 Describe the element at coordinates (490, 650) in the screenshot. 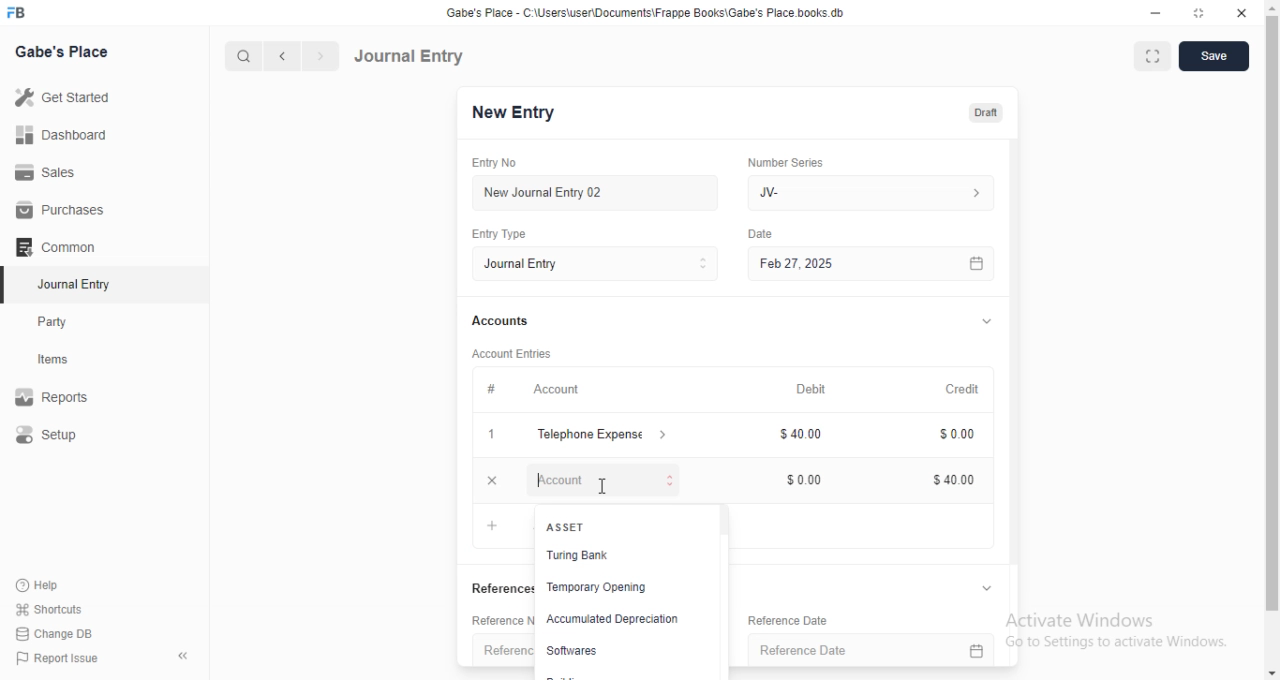

I see `‘Reference Number` at that location.